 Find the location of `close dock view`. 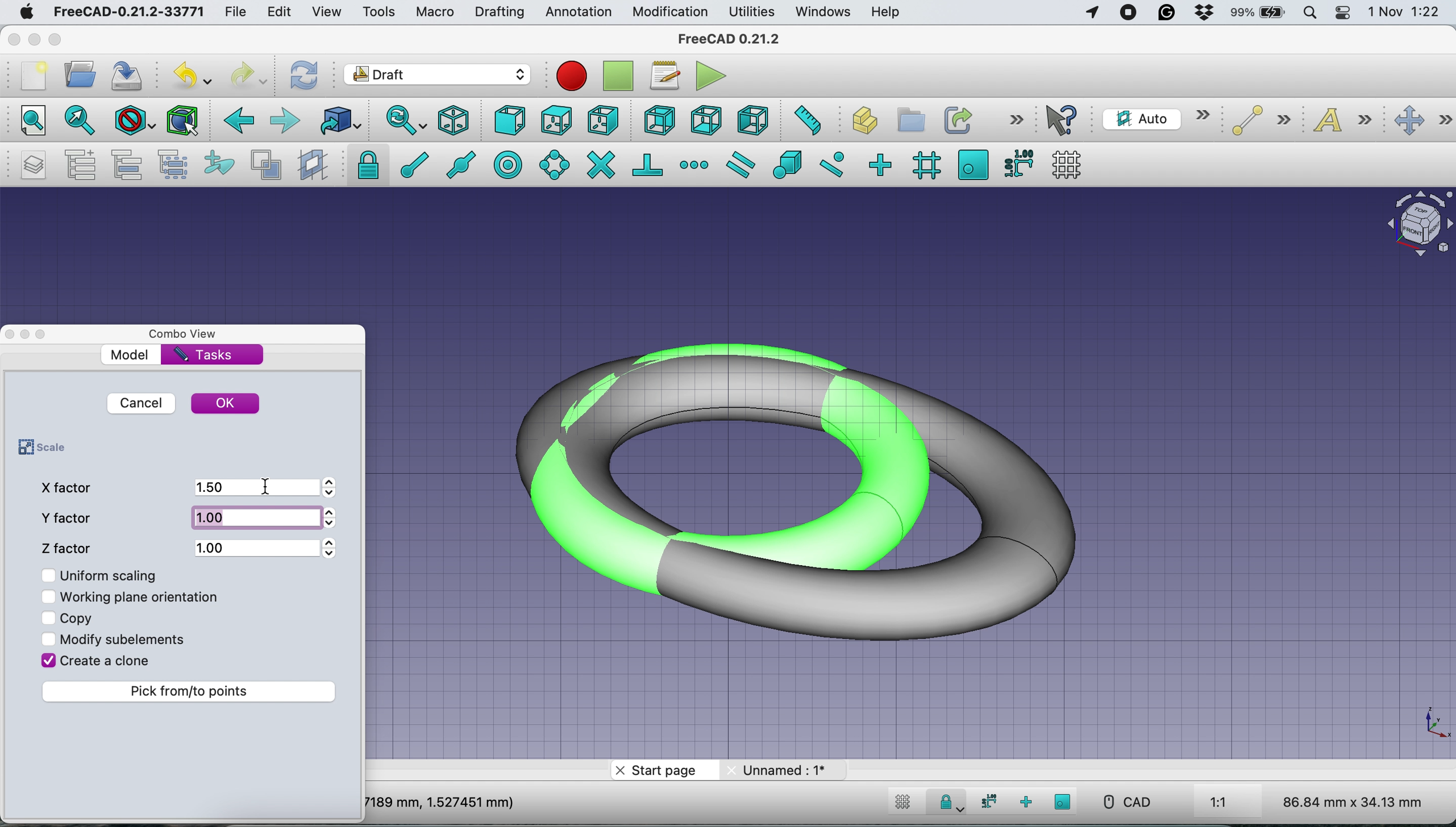

close dock view is located at coordinates (9, 335).